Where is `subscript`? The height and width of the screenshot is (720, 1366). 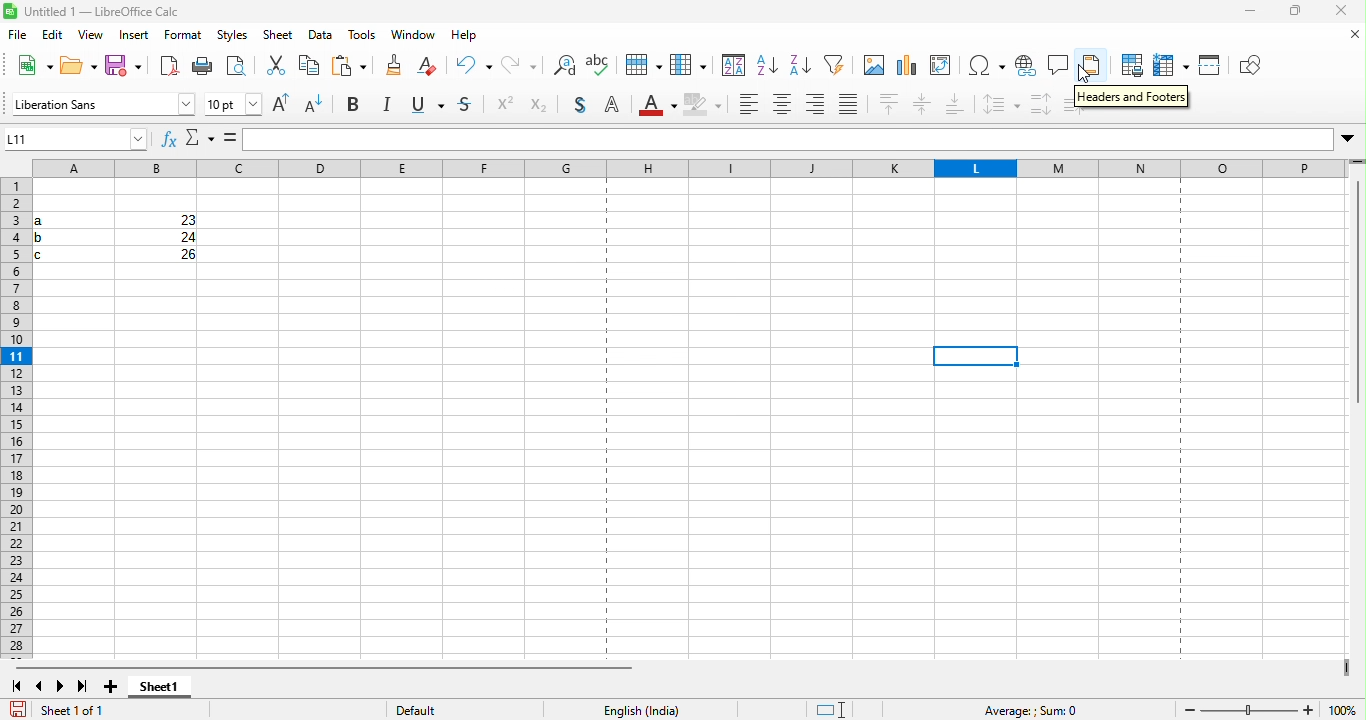 subscript is located at coordinates (539, 105).